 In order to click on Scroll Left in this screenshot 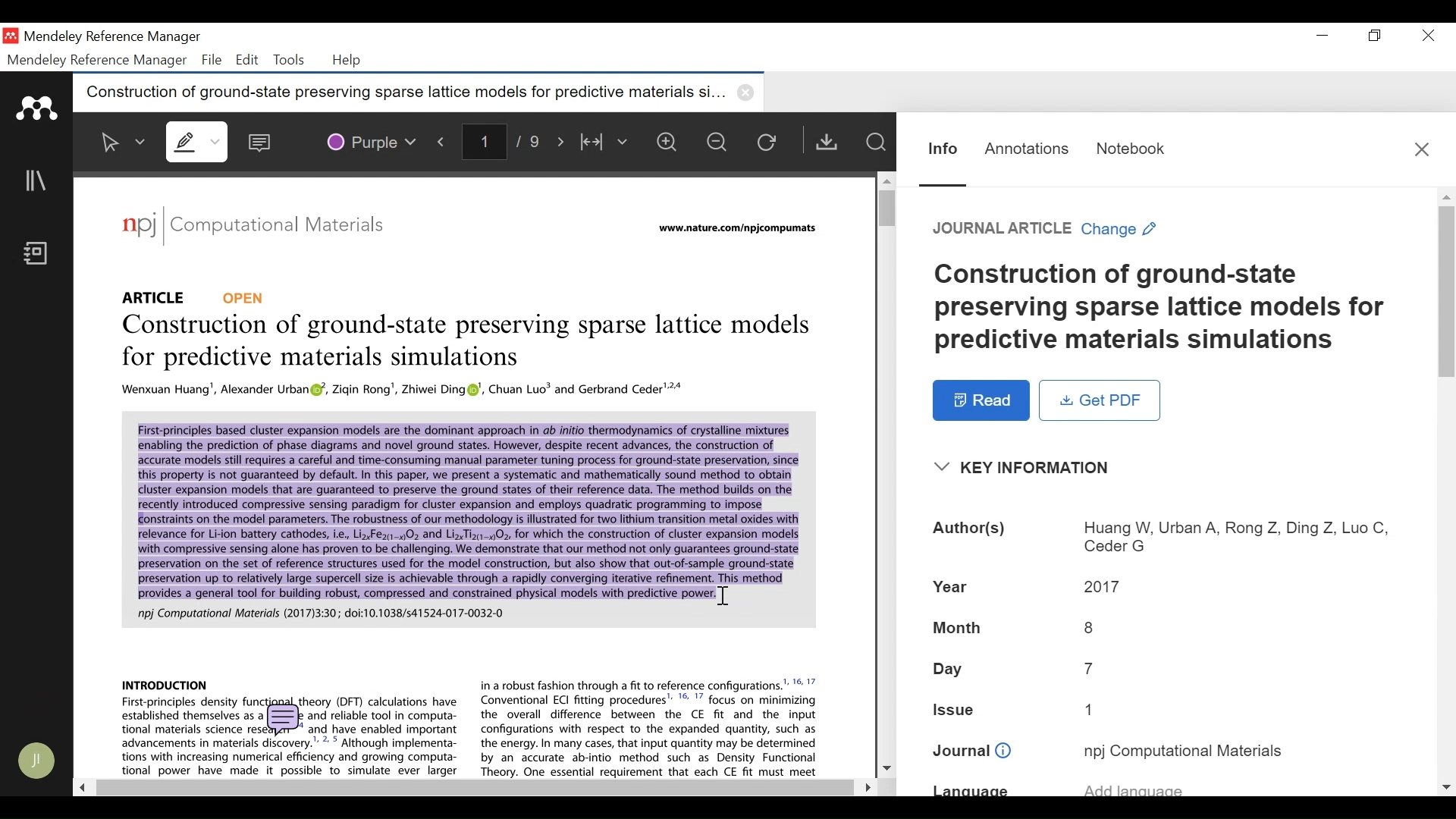, I will do `click(80, 786)`.